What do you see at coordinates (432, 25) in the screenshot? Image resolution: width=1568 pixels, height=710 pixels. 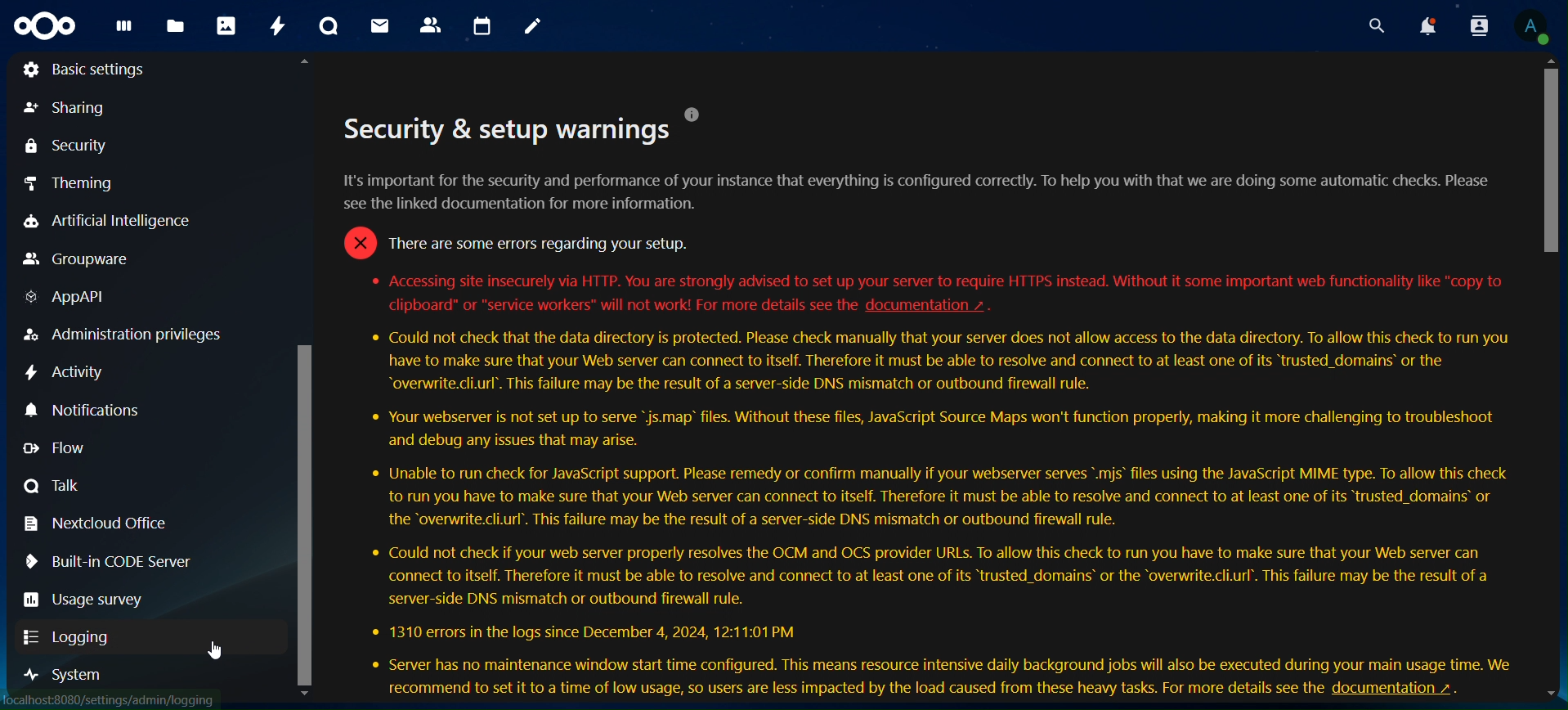 I see `contact` at bounding box center [432, 25].